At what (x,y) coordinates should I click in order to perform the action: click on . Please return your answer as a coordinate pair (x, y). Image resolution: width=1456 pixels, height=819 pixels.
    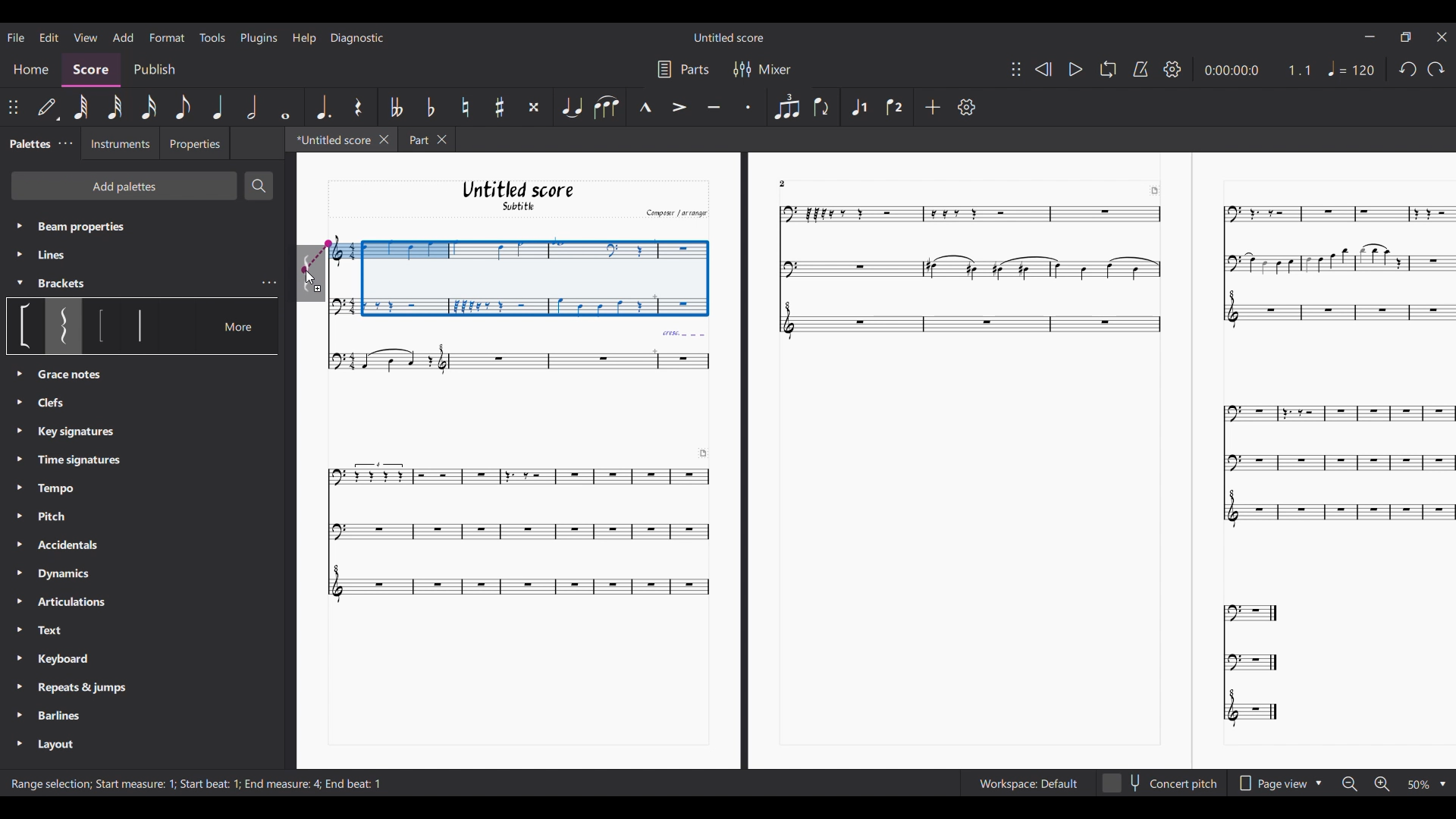
    Looking at the image, I should click on (18, 632).